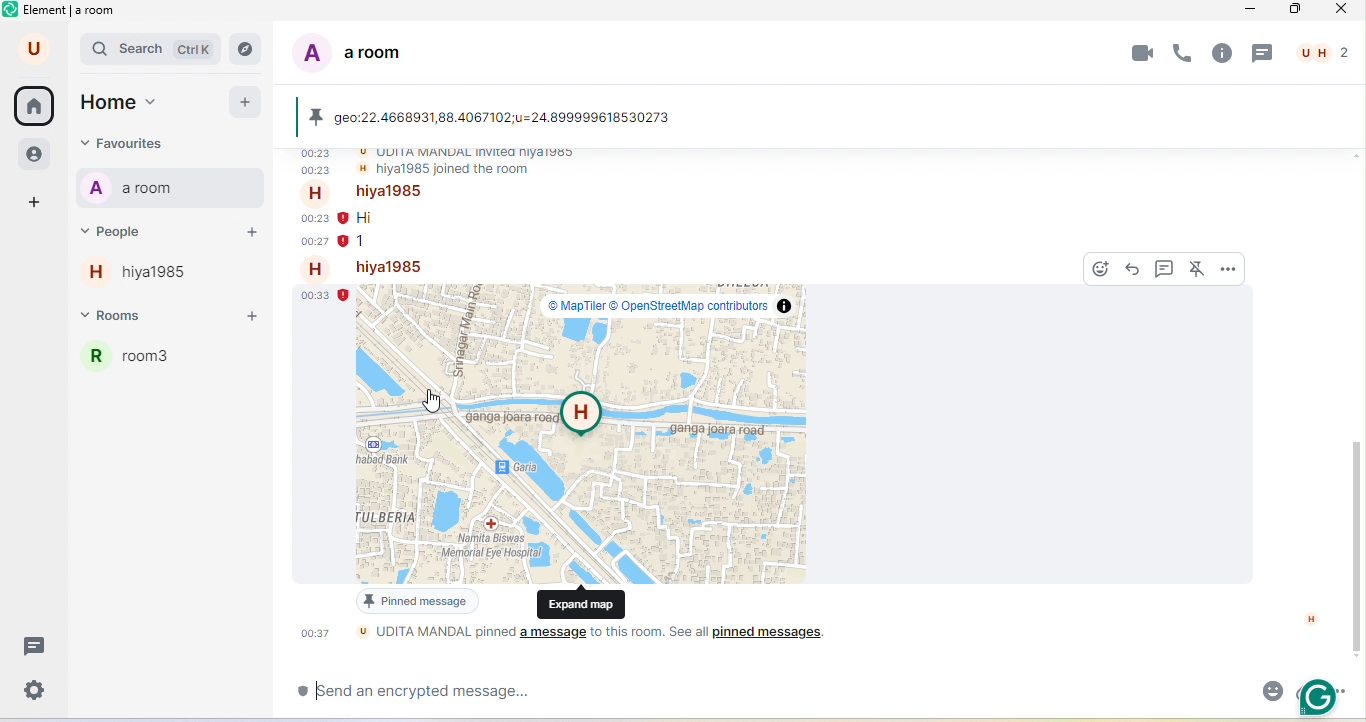 The width and height of the screenshot is (1366, 722). Describe the element at coordinates (326, 296) in the screenshot. I see `00.33` at that location.